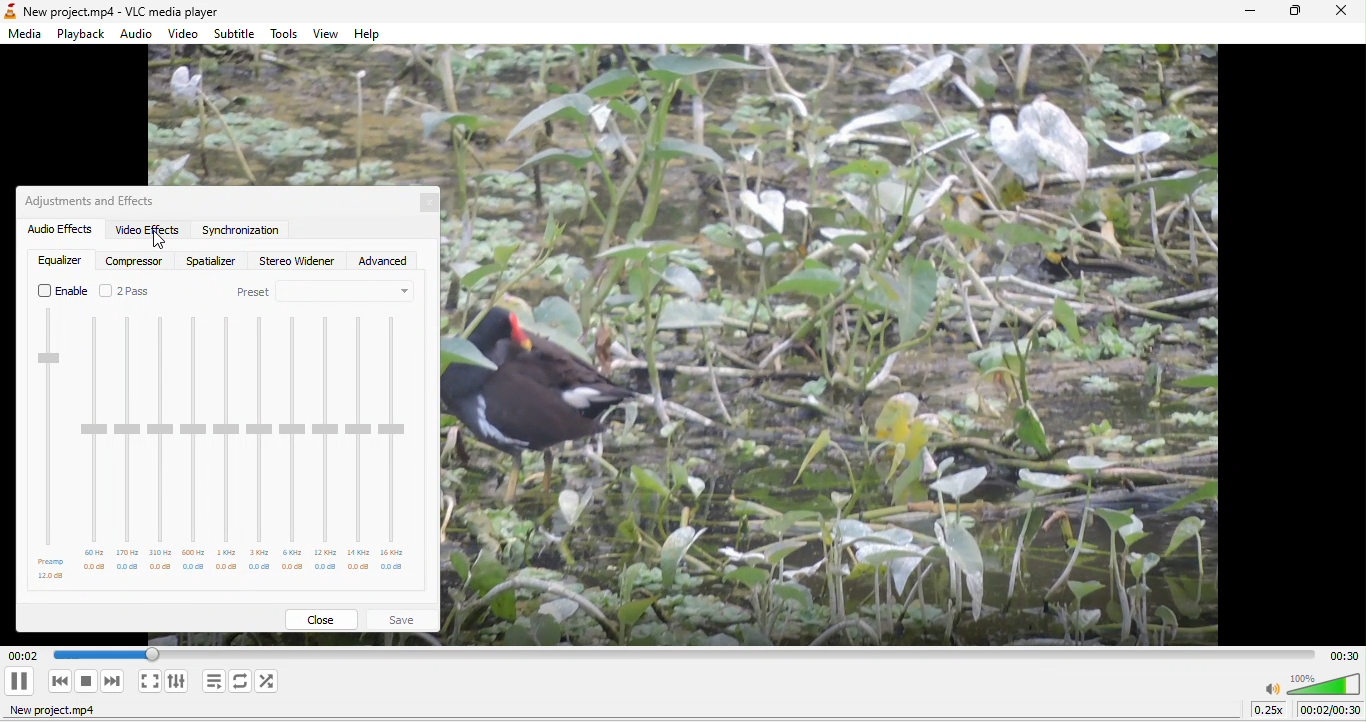 Image resolution: width=1366 pixels, height=722 pixels. I want to click on speakers, so click(1311, 684).